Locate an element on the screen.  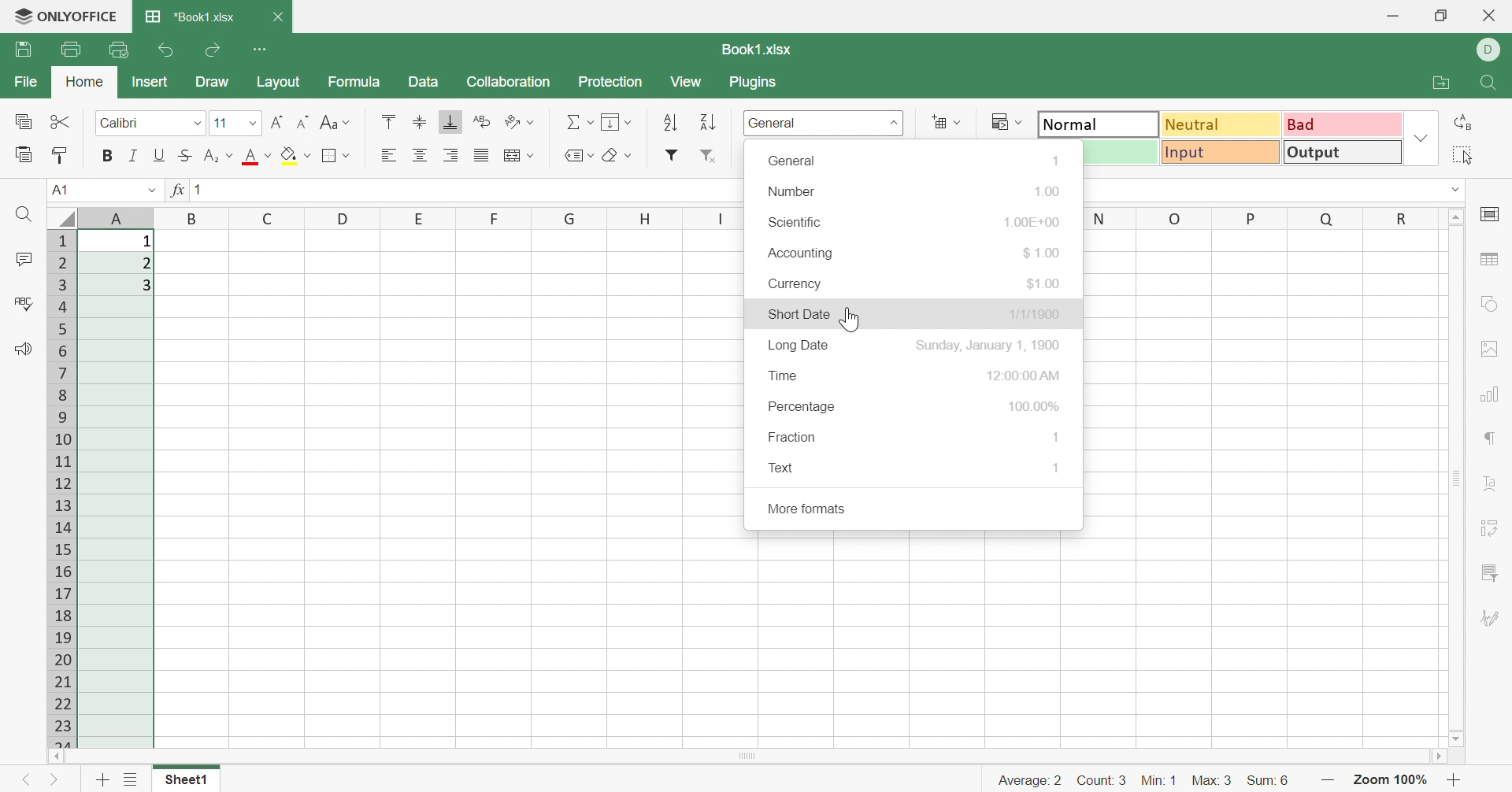
Filter is located at coordinates (674, 154).